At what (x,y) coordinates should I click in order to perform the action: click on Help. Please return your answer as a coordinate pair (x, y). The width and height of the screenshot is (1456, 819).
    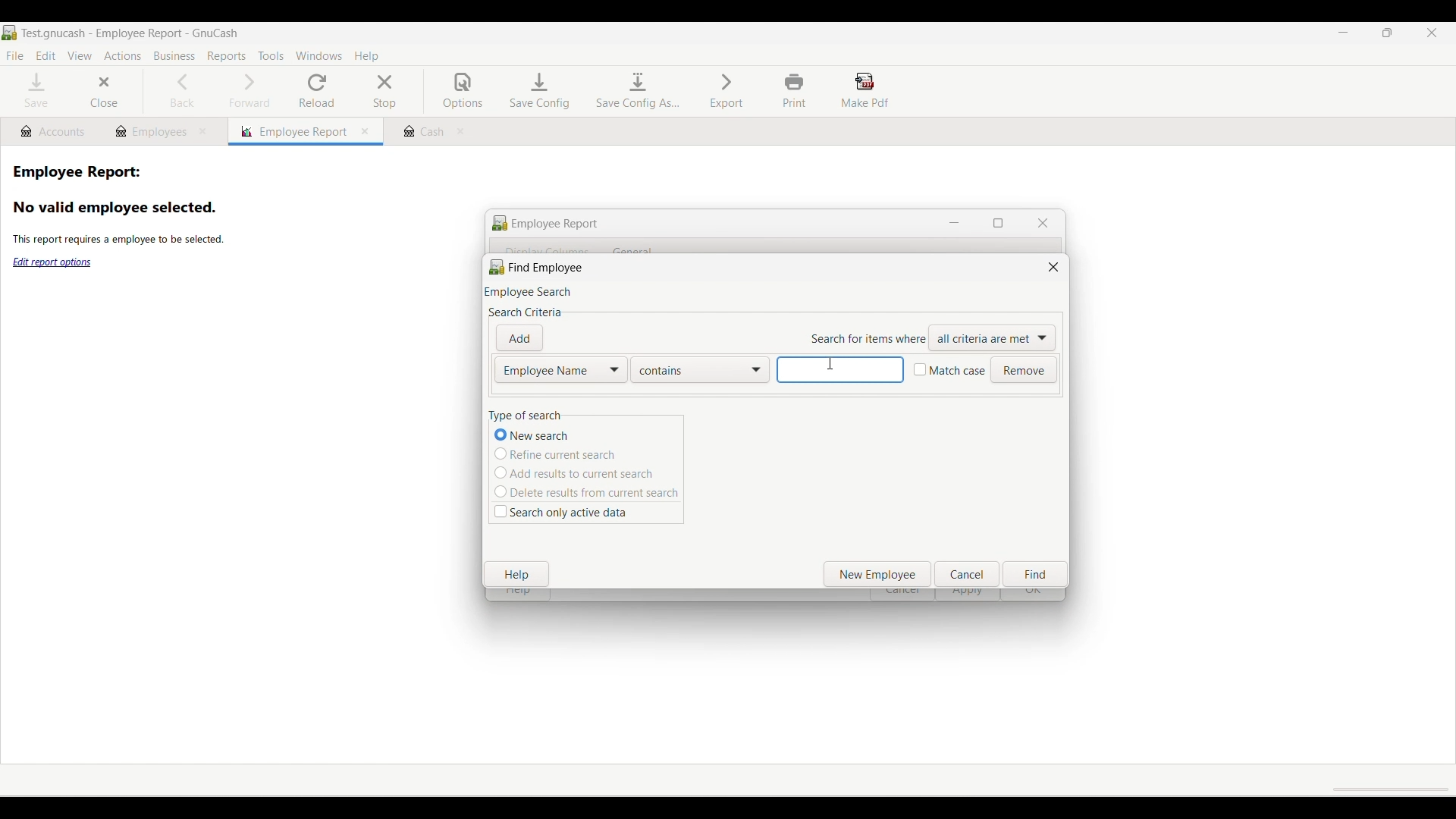
    Looking at the image, I should click on (516, 574).